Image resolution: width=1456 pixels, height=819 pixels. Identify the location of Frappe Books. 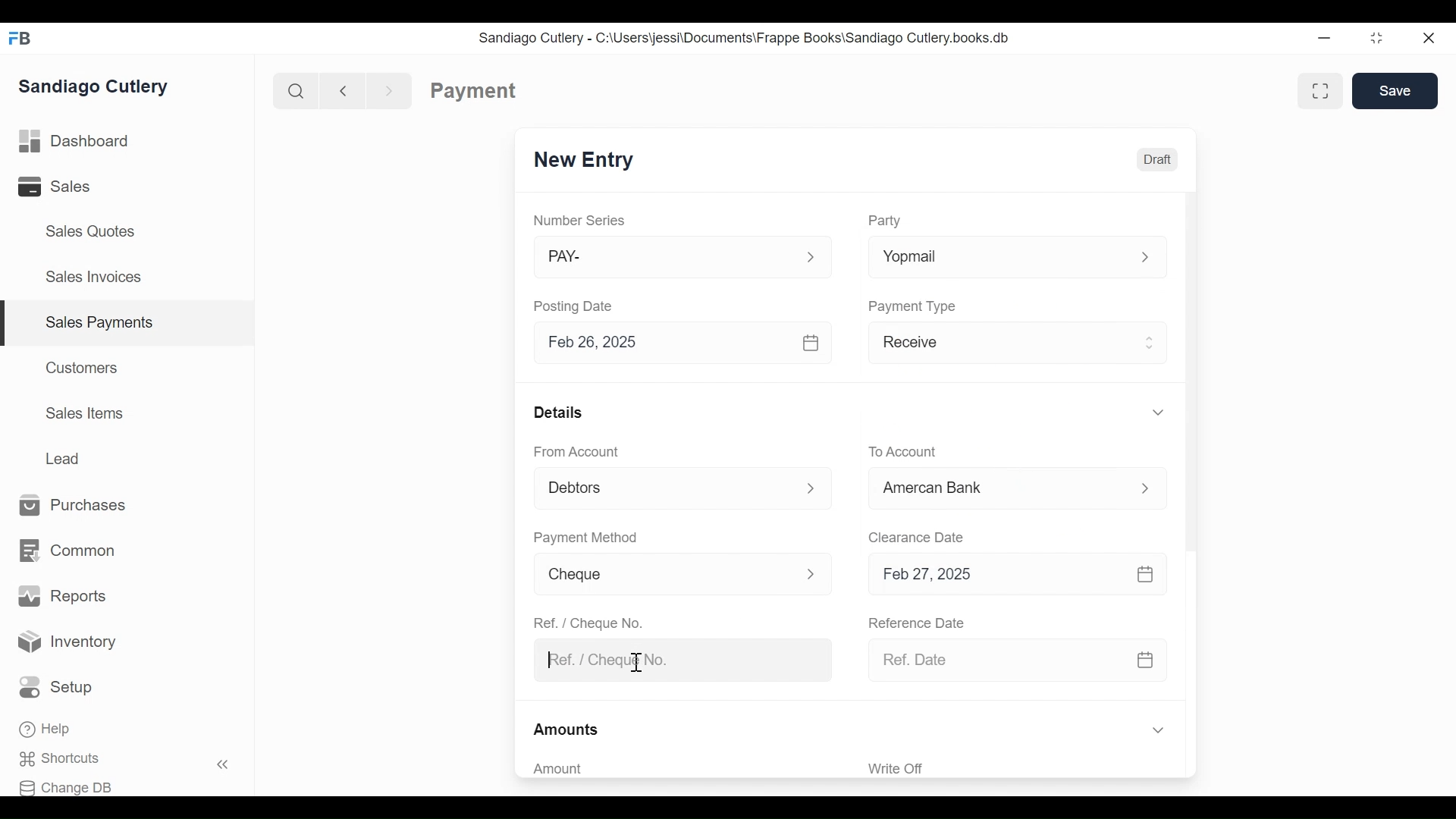
(21, 38).